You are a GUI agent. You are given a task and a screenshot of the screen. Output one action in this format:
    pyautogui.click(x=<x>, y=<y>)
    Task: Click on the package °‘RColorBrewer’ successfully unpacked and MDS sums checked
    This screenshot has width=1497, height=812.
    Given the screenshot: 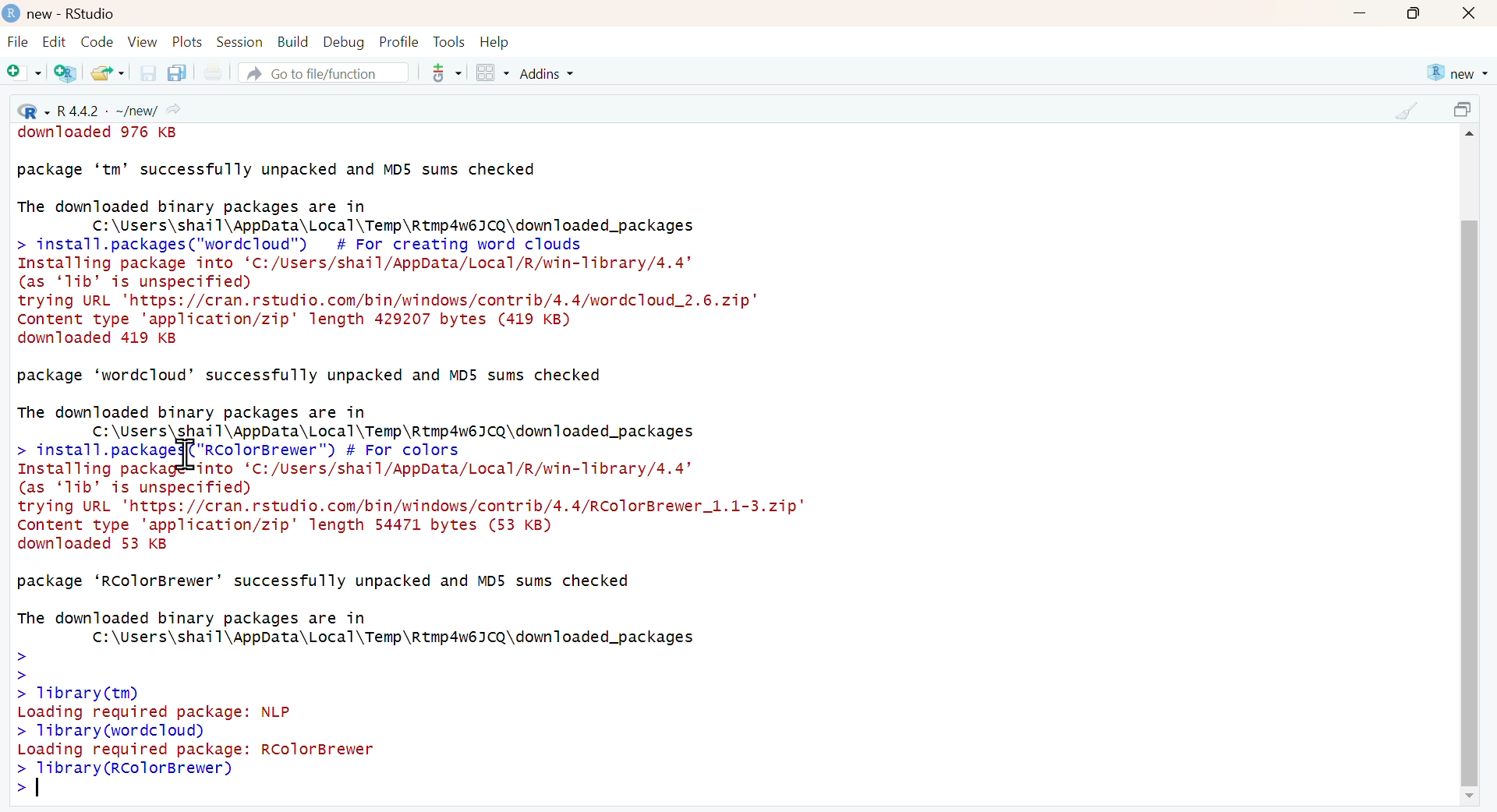 What is the action you would take?
    pyautogui.click(x=324, y=582)
    